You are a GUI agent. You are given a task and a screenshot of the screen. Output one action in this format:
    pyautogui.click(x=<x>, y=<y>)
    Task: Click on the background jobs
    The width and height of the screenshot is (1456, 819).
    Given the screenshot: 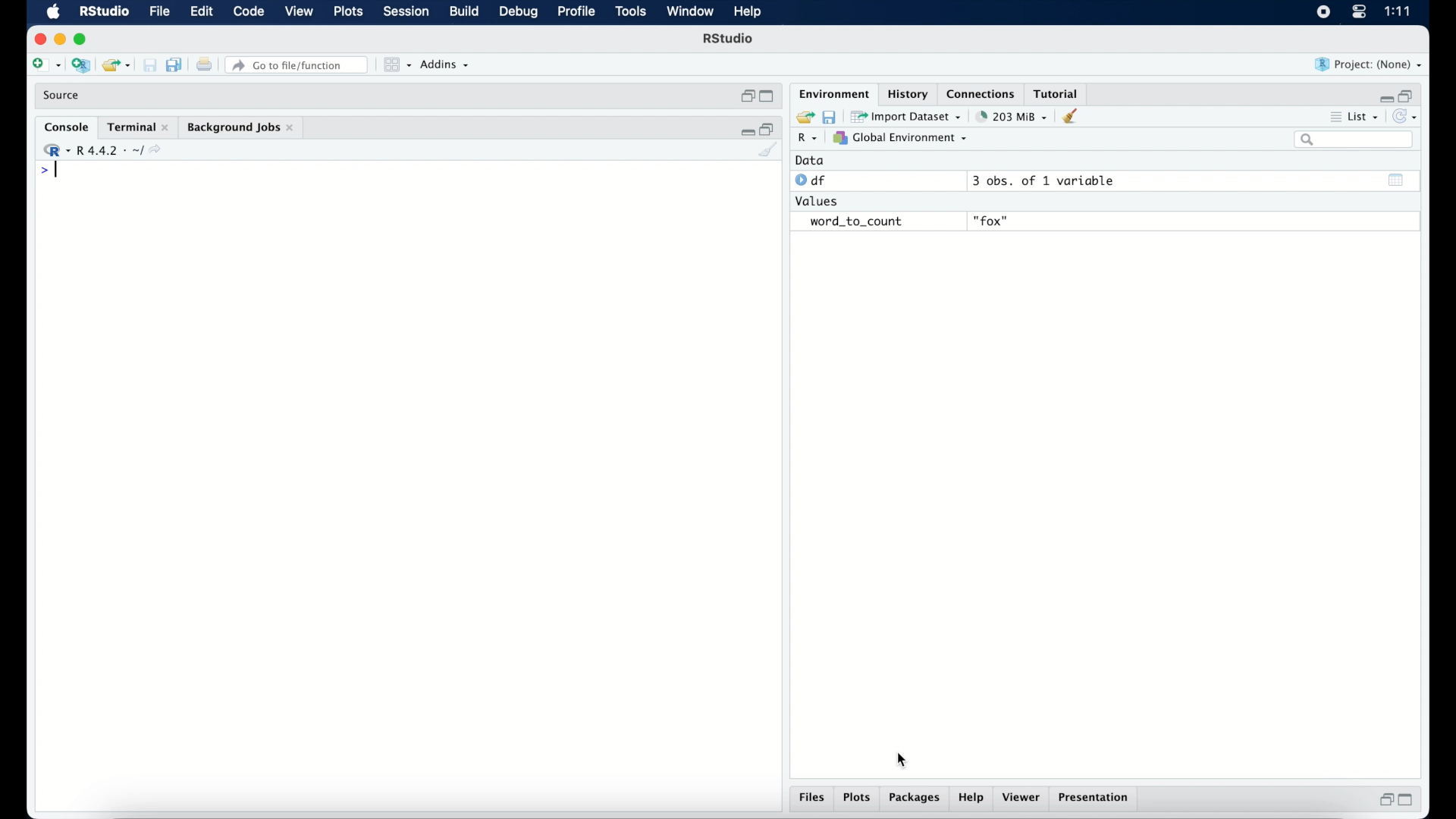 What is the action you would take?
    pyautogui.click(x=242, y=129)
    